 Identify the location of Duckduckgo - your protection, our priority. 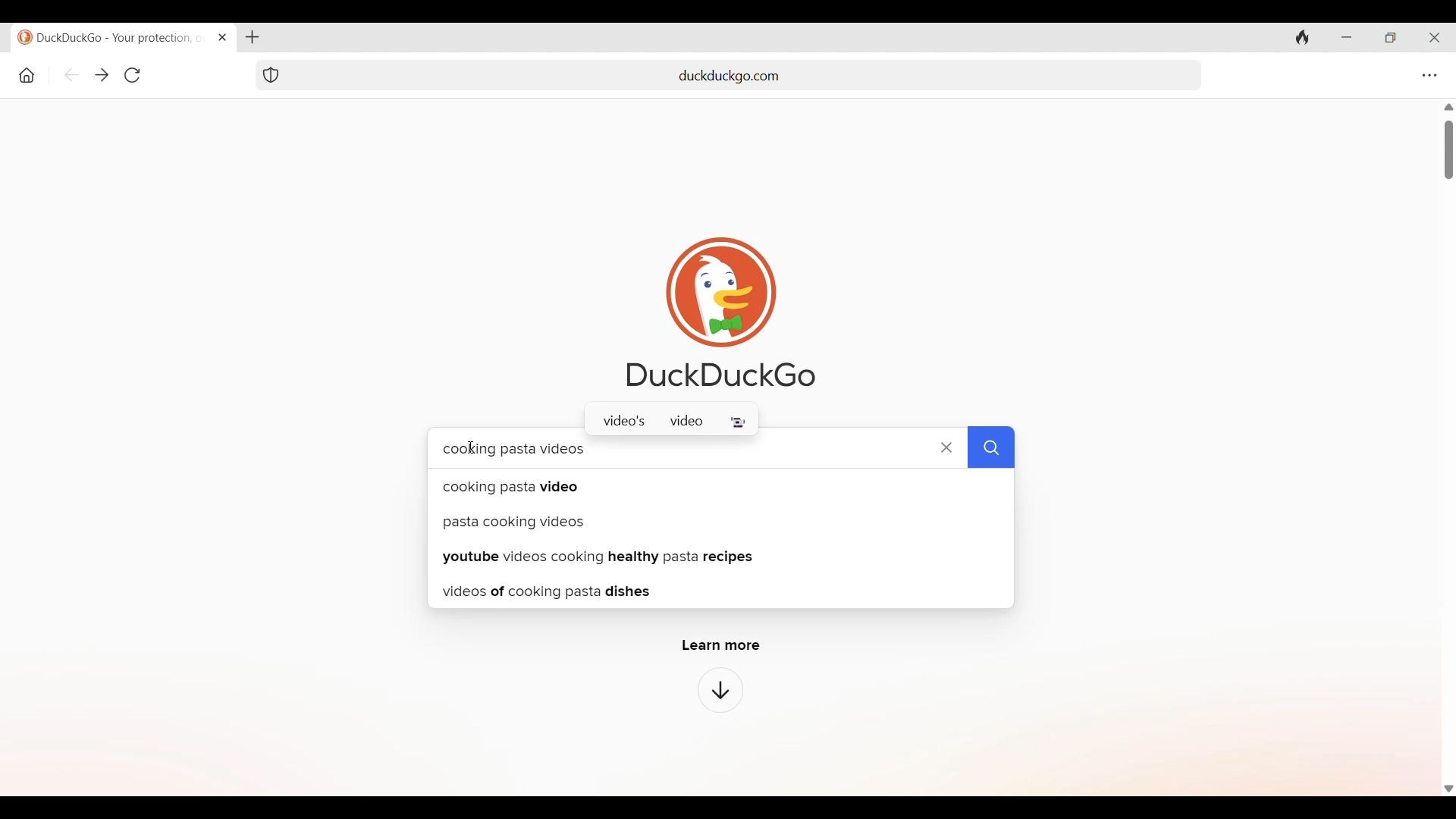
(108, 37).